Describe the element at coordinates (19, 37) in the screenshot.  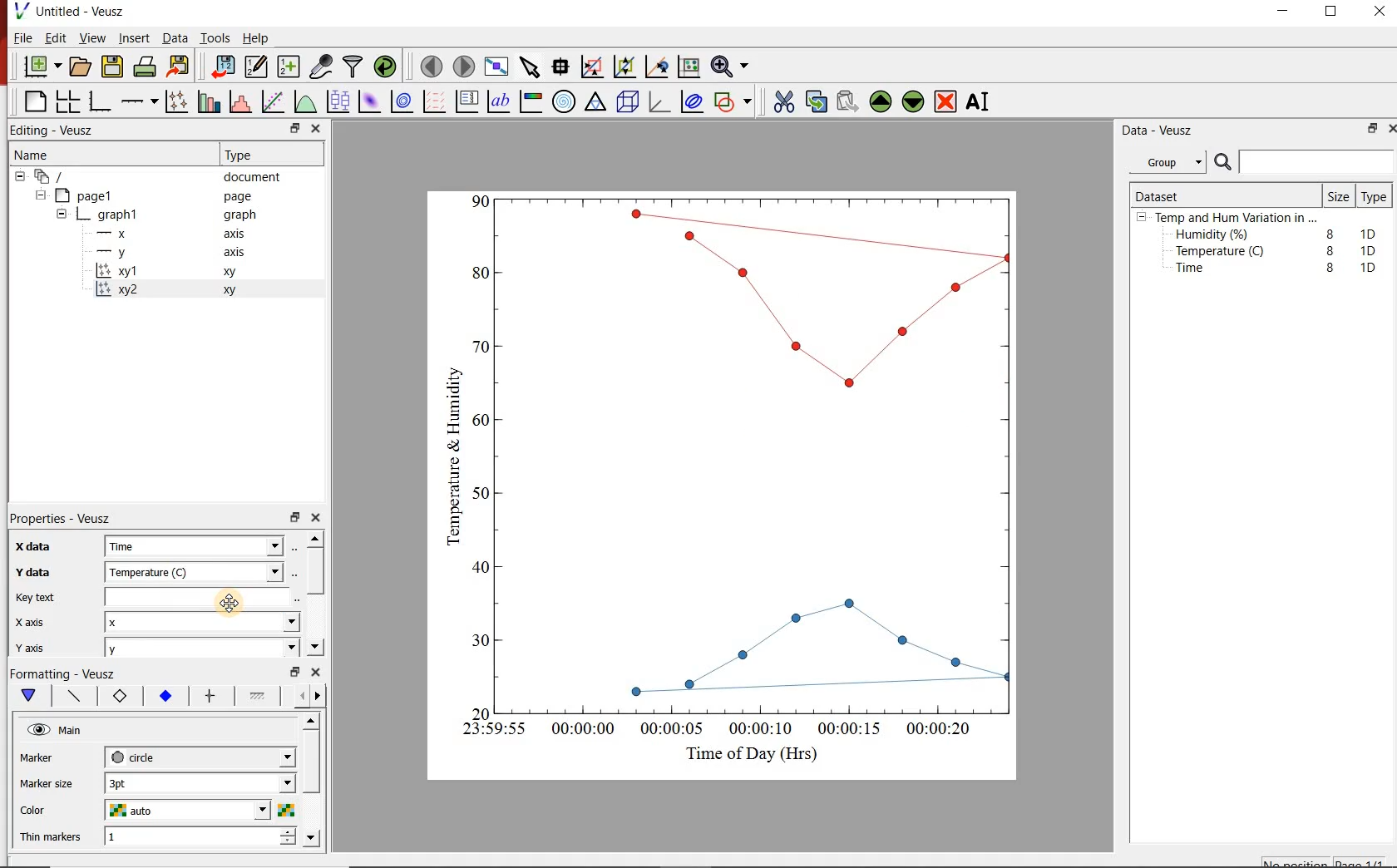
I see `File` at that location.